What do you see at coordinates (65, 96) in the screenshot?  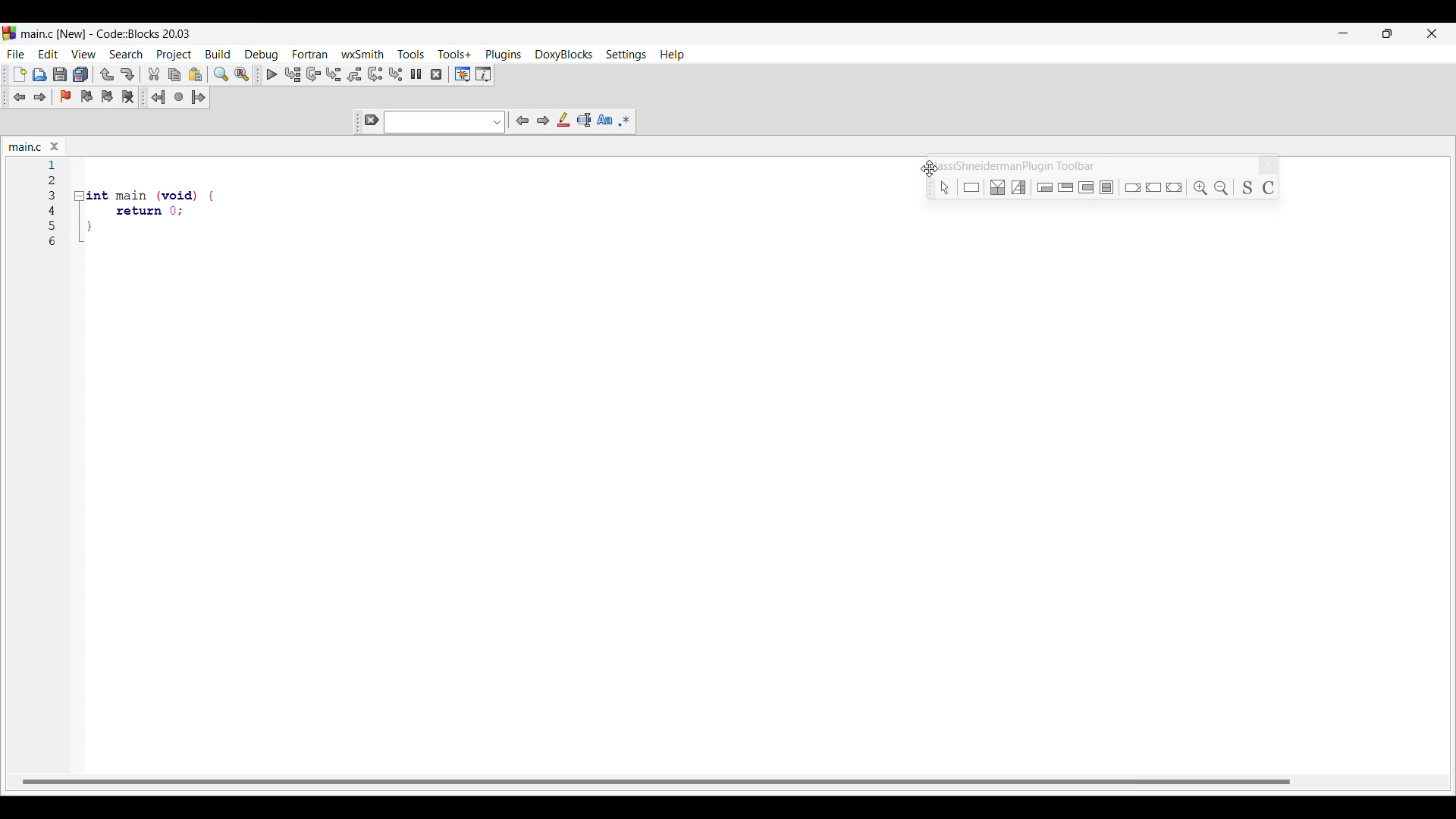 I see `Toggle bookmark` at bounding box center [65, 96].